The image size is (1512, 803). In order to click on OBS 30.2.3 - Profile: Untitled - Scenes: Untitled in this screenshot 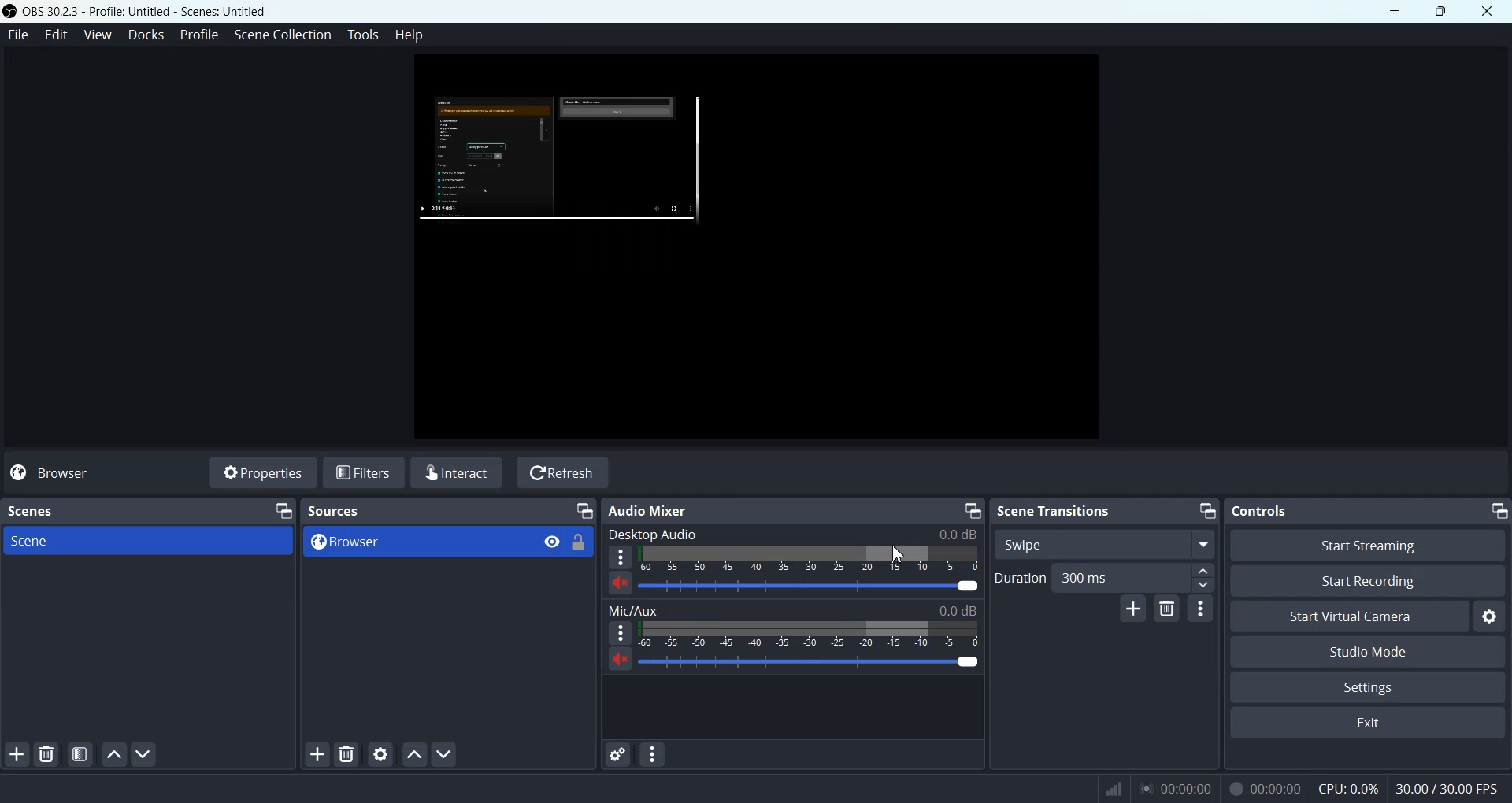, I will do `click(138, 12)`.